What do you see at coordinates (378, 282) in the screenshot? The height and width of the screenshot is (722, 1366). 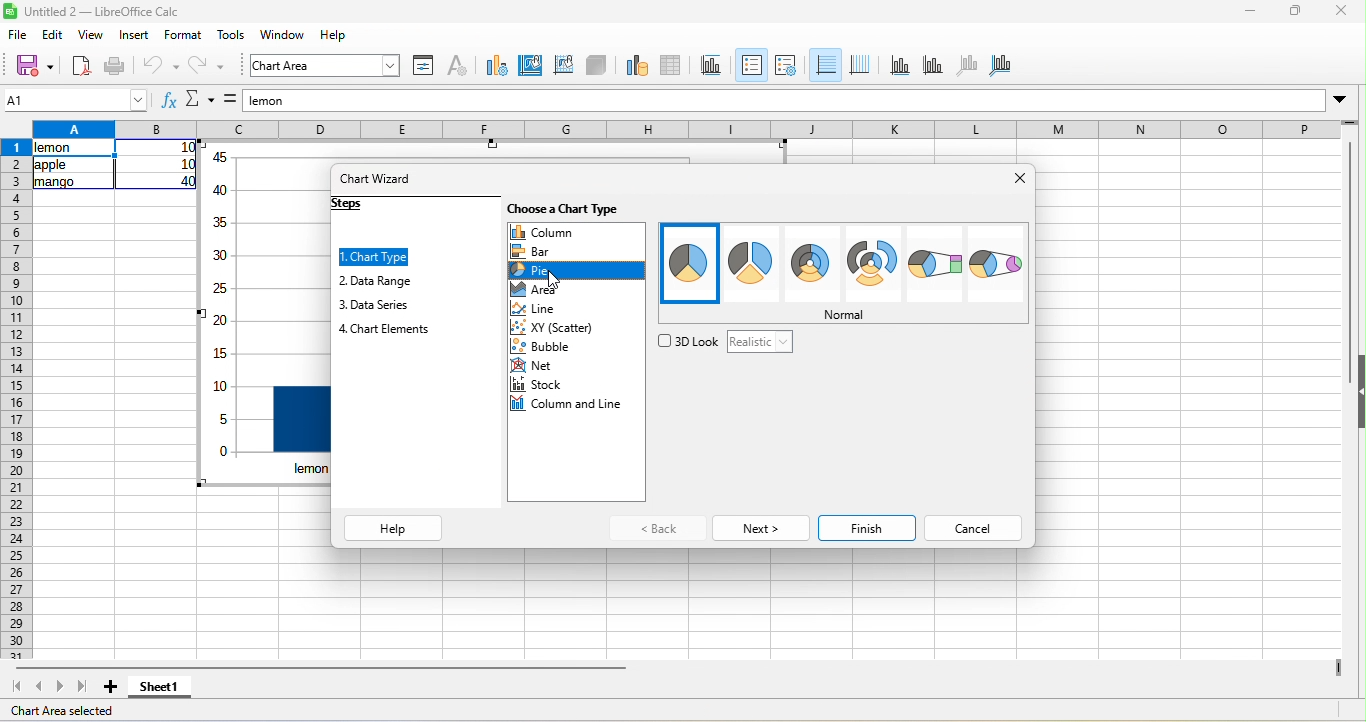 I see `data range` at bounding box center [378, 282].